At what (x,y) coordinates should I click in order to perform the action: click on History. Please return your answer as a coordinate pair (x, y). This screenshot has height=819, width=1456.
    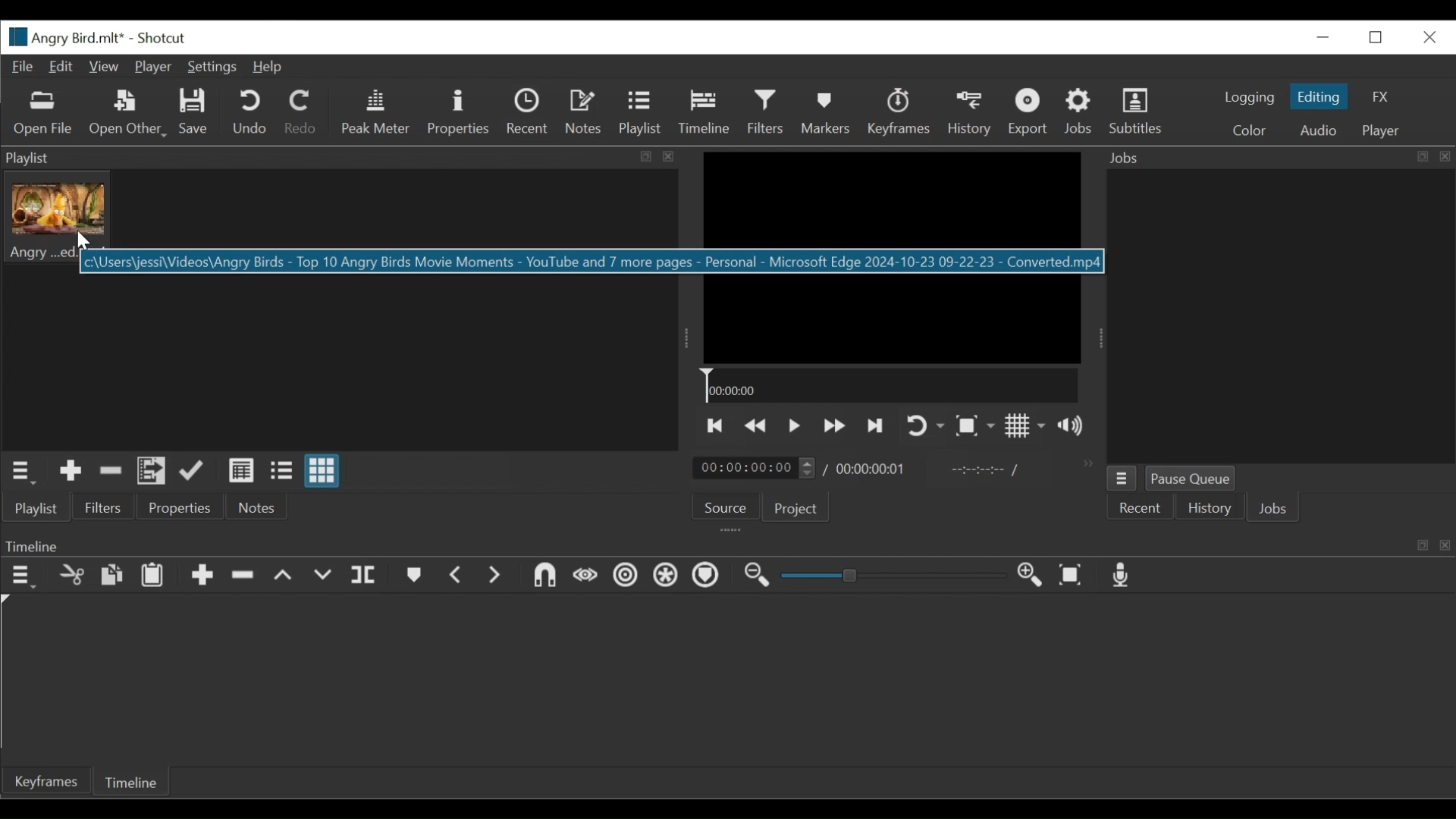
    Looking at the image, I should click on (1208, 508).